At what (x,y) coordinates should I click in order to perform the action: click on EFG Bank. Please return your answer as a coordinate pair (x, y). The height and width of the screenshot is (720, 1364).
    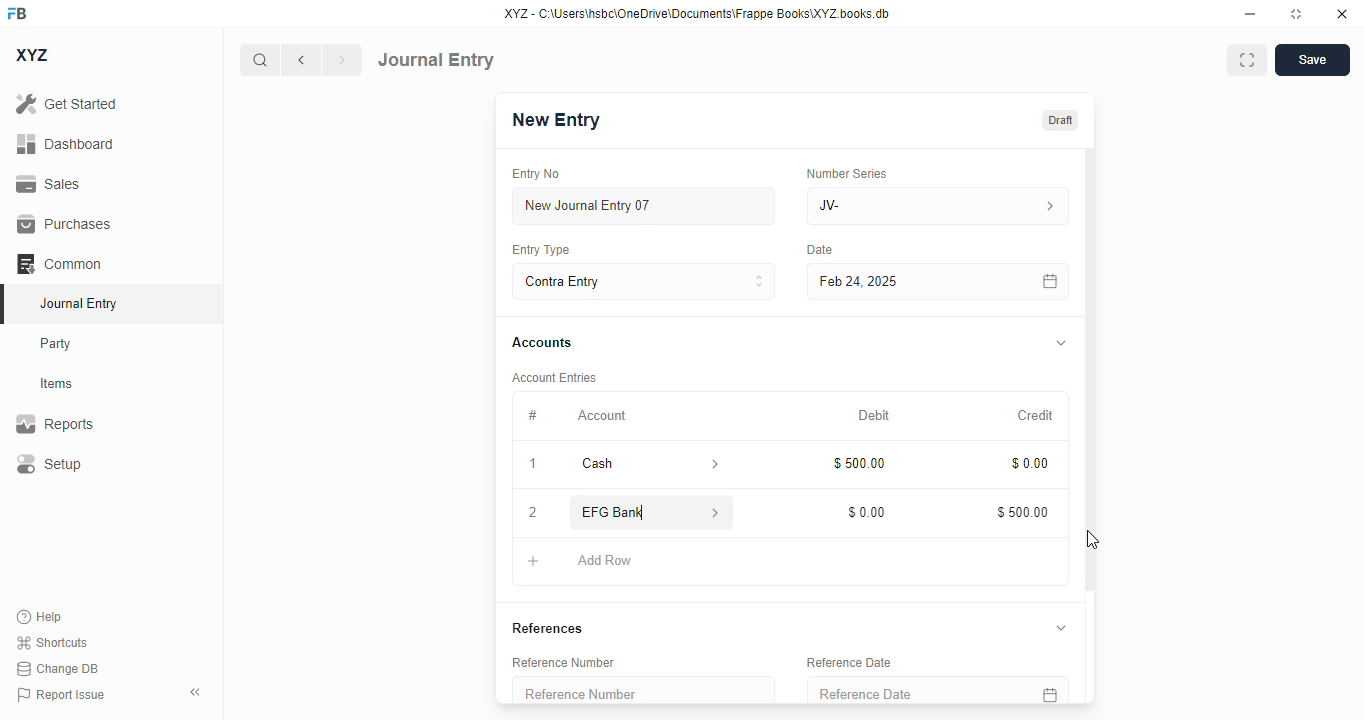
    Looking at the image, I should click on (622, 512).